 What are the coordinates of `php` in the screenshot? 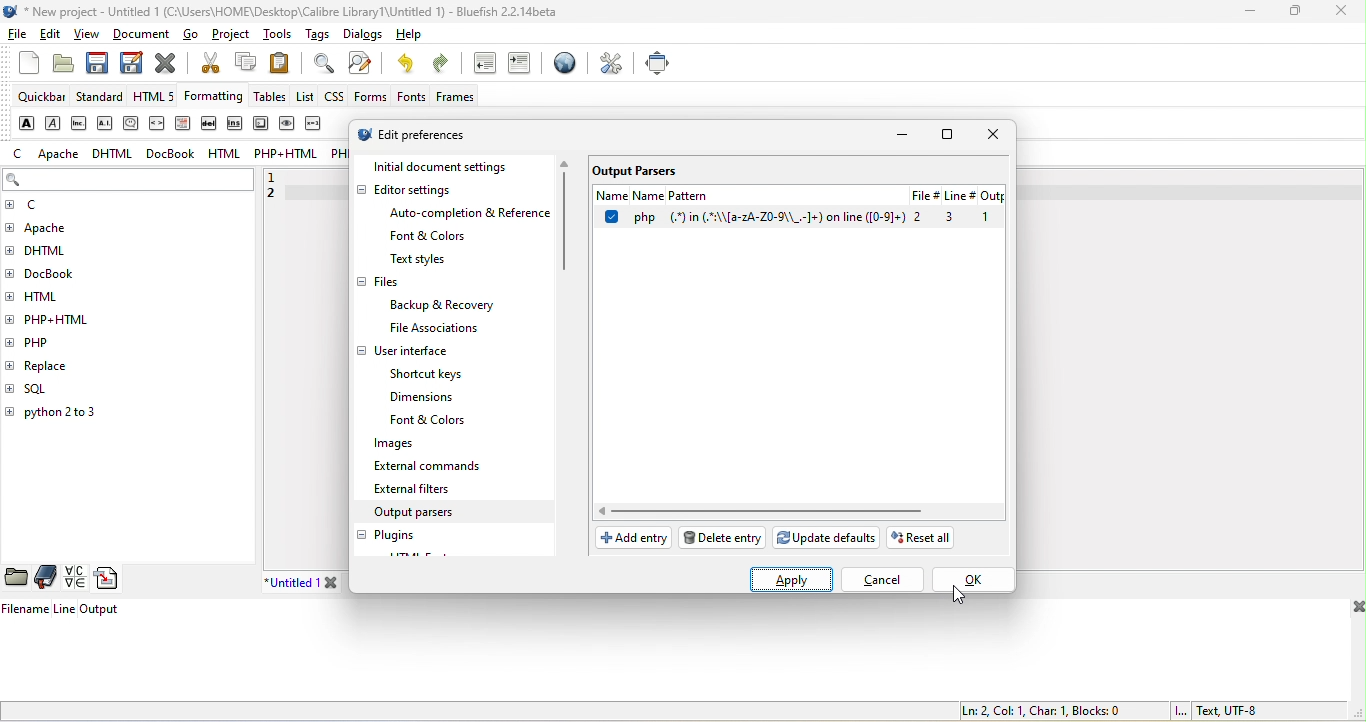 It's located at (49, 341).